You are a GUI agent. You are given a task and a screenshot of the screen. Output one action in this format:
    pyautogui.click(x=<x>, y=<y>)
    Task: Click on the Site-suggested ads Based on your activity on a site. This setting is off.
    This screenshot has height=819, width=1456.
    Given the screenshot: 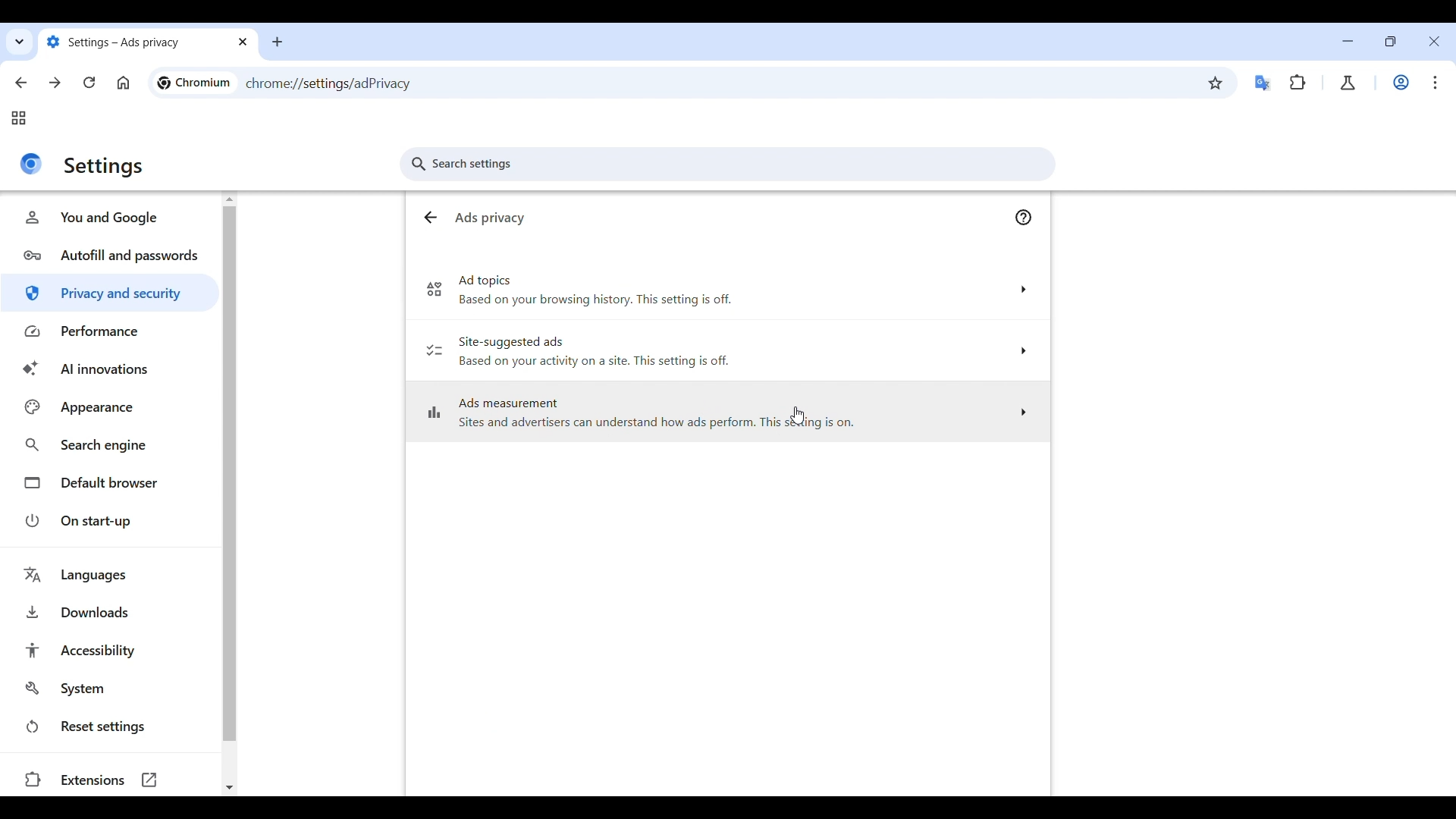 What is the action you would take?
    pyautogui.click(x=726, y=353)
    